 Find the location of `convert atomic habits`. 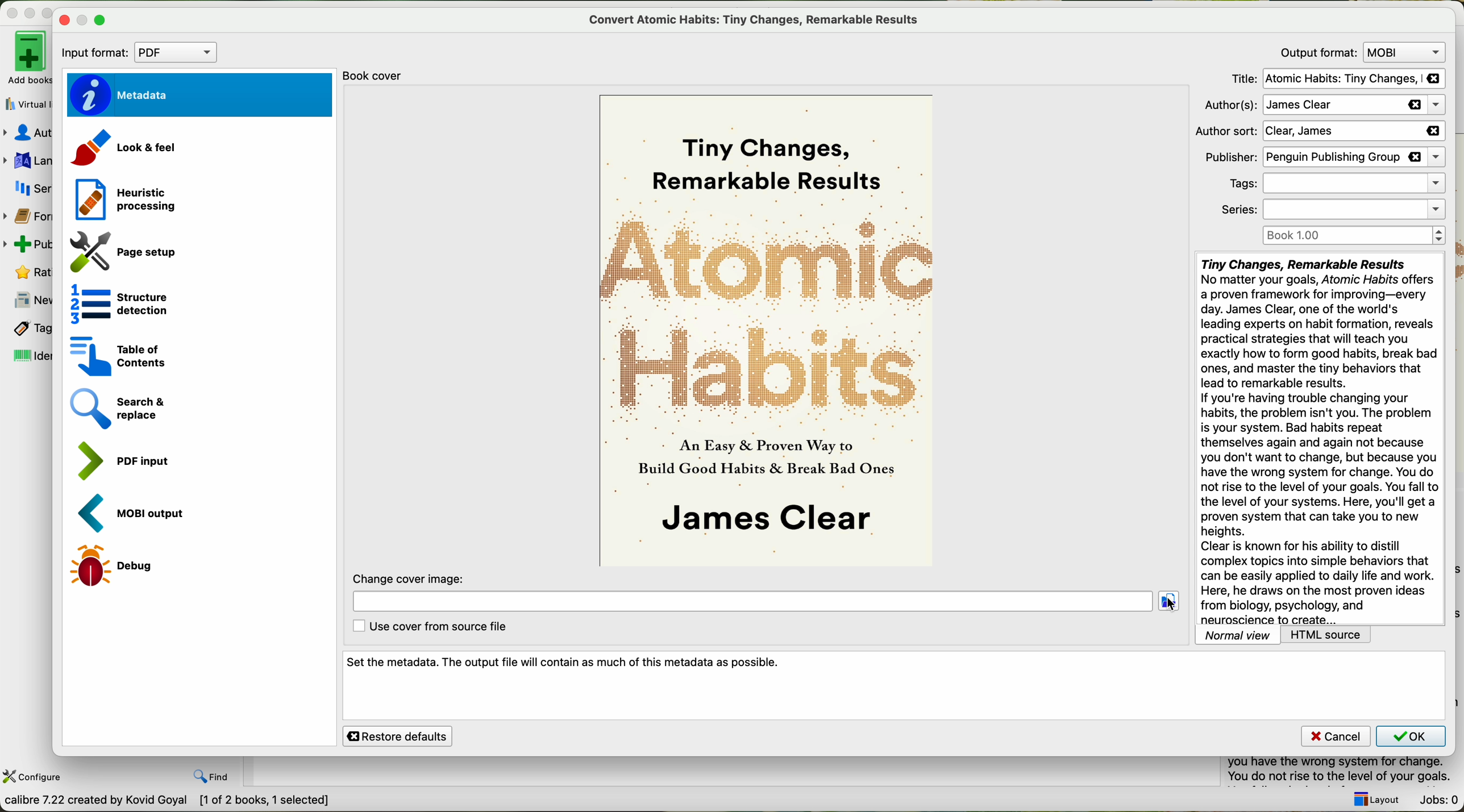

convert atomic habits is located at coordinates (756, 19).